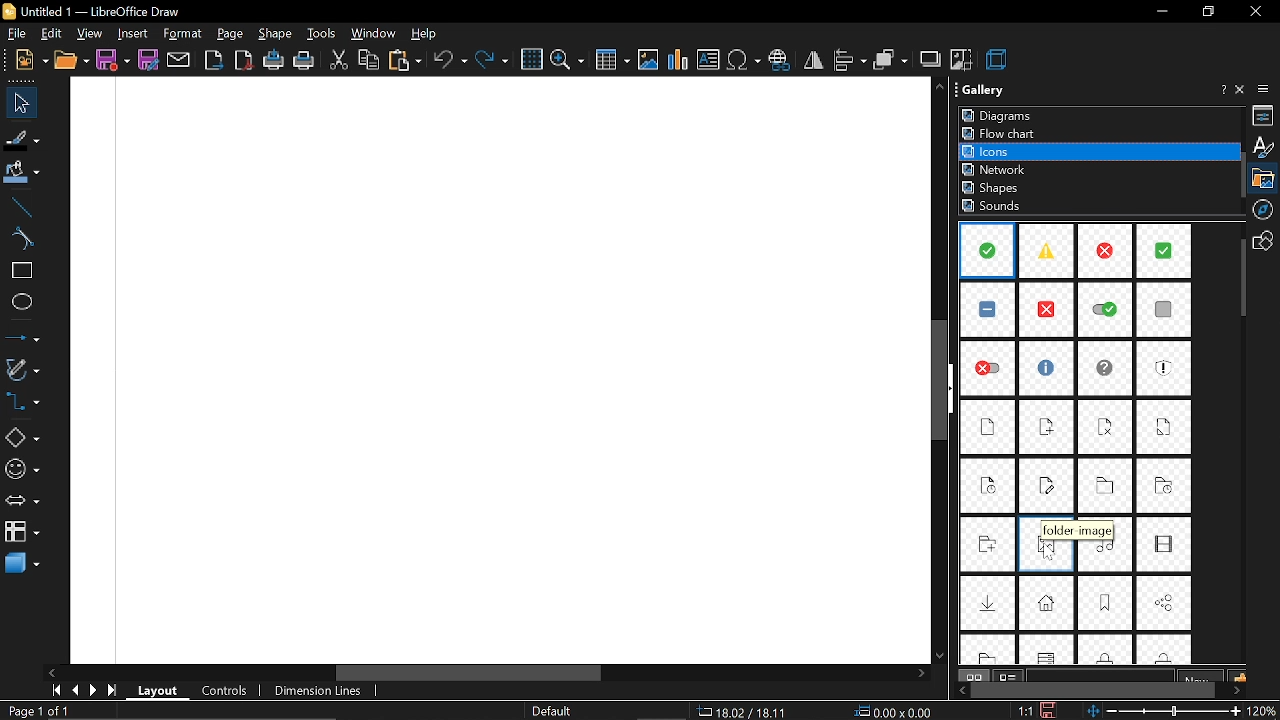 The image size is (1280, 720). Describe the element at coordinates (567, 61) in the screenshot. I see `zoom` at that location.